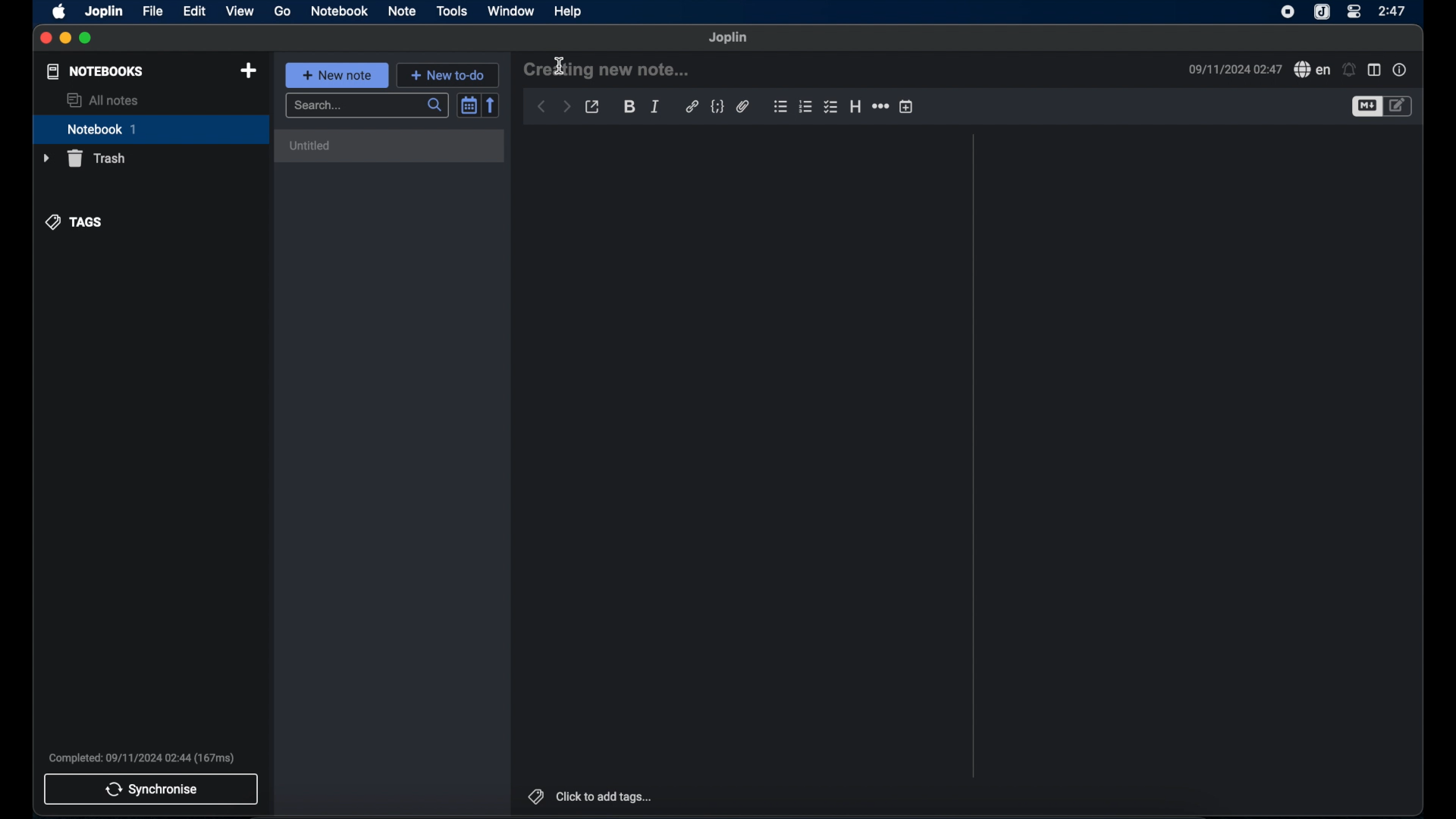  Describe the element at coordinates (560, 62) in the screenshot. I see `Cursor` at that location.